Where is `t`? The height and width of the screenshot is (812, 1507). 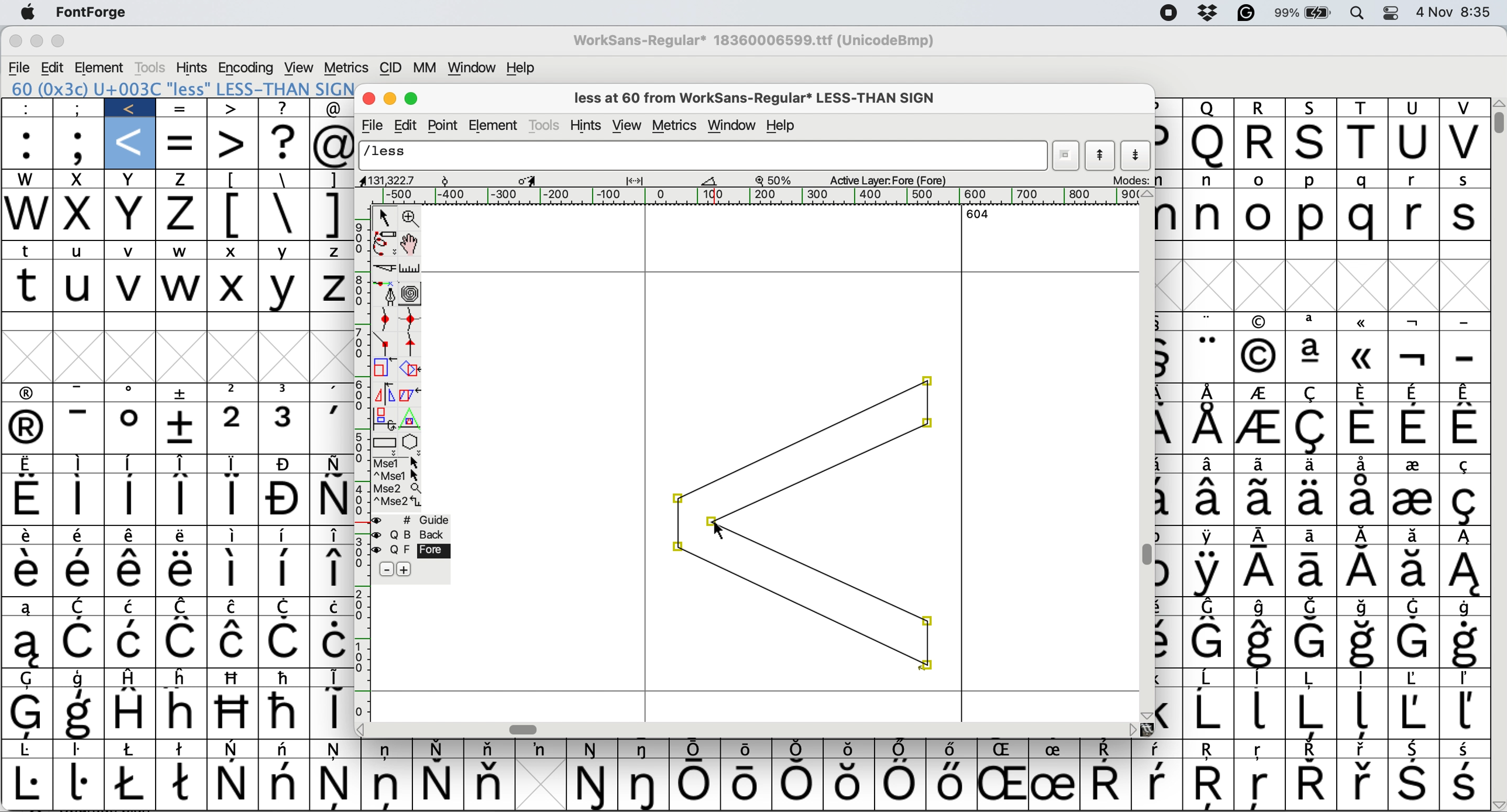 t is located at coordinates (1364, 108).